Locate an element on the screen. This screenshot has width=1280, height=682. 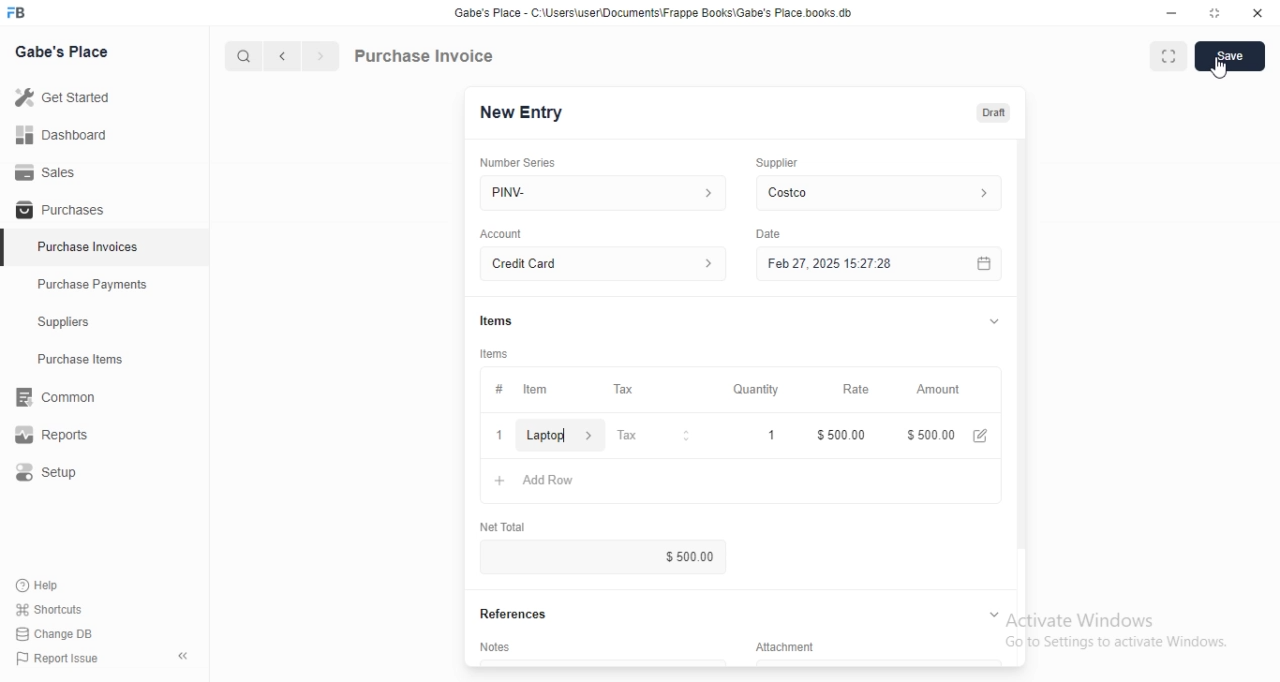
$ 500.00 is located at coordinates (602, 556).